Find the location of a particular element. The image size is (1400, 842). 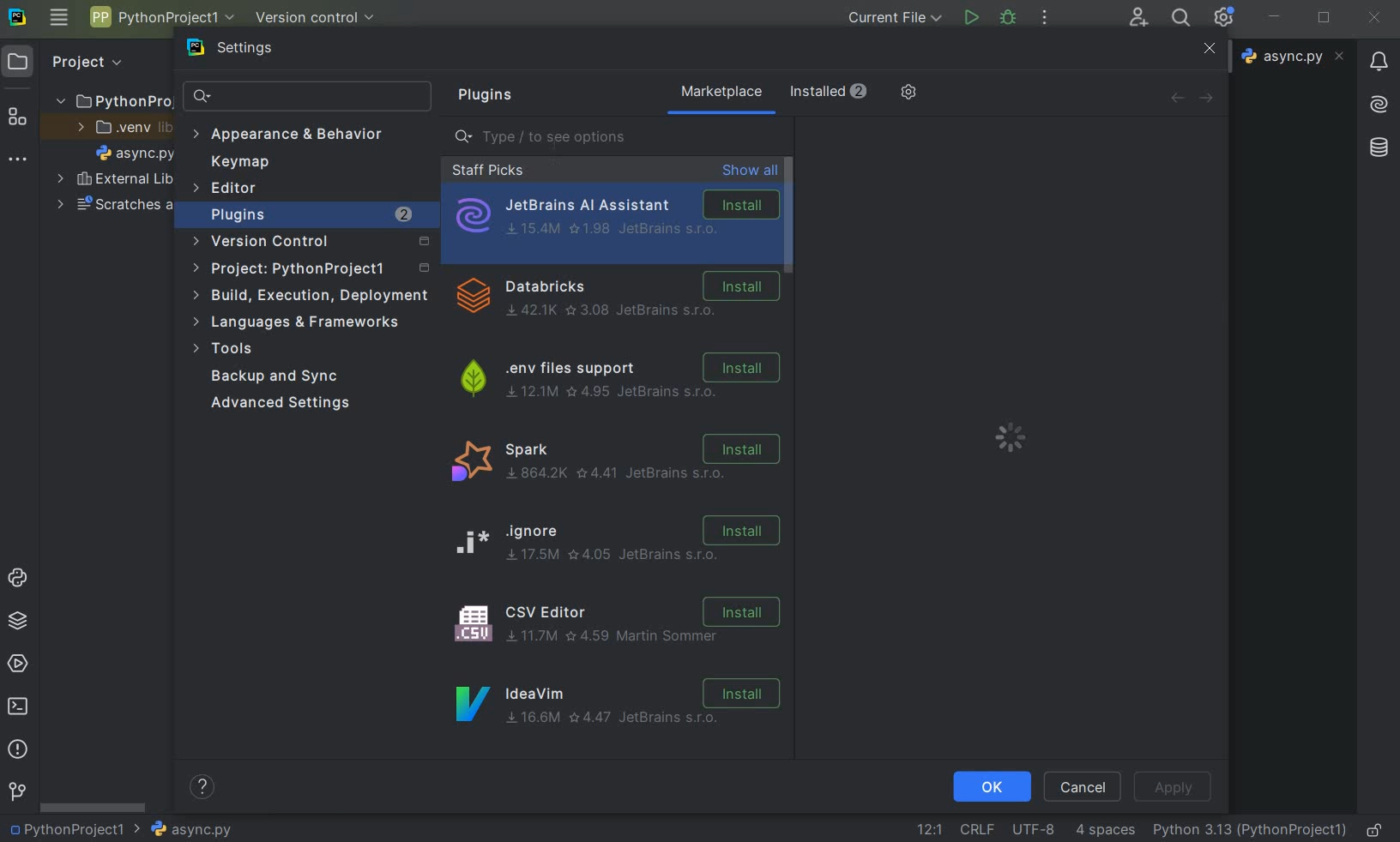

file name is located at coordinates (1293, 57).